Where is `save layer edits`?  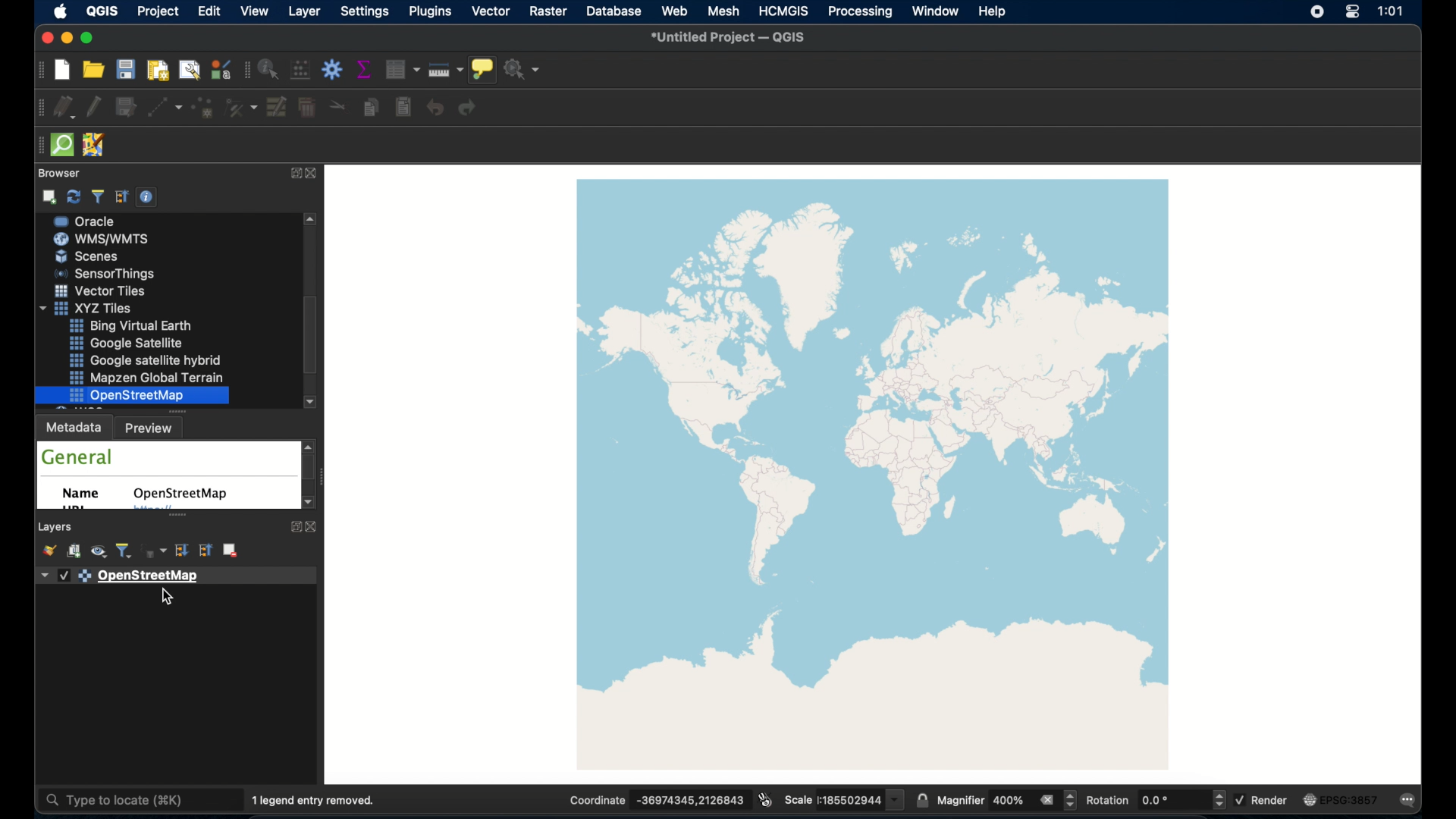
save layer edits is located at coordinates (127, 108).